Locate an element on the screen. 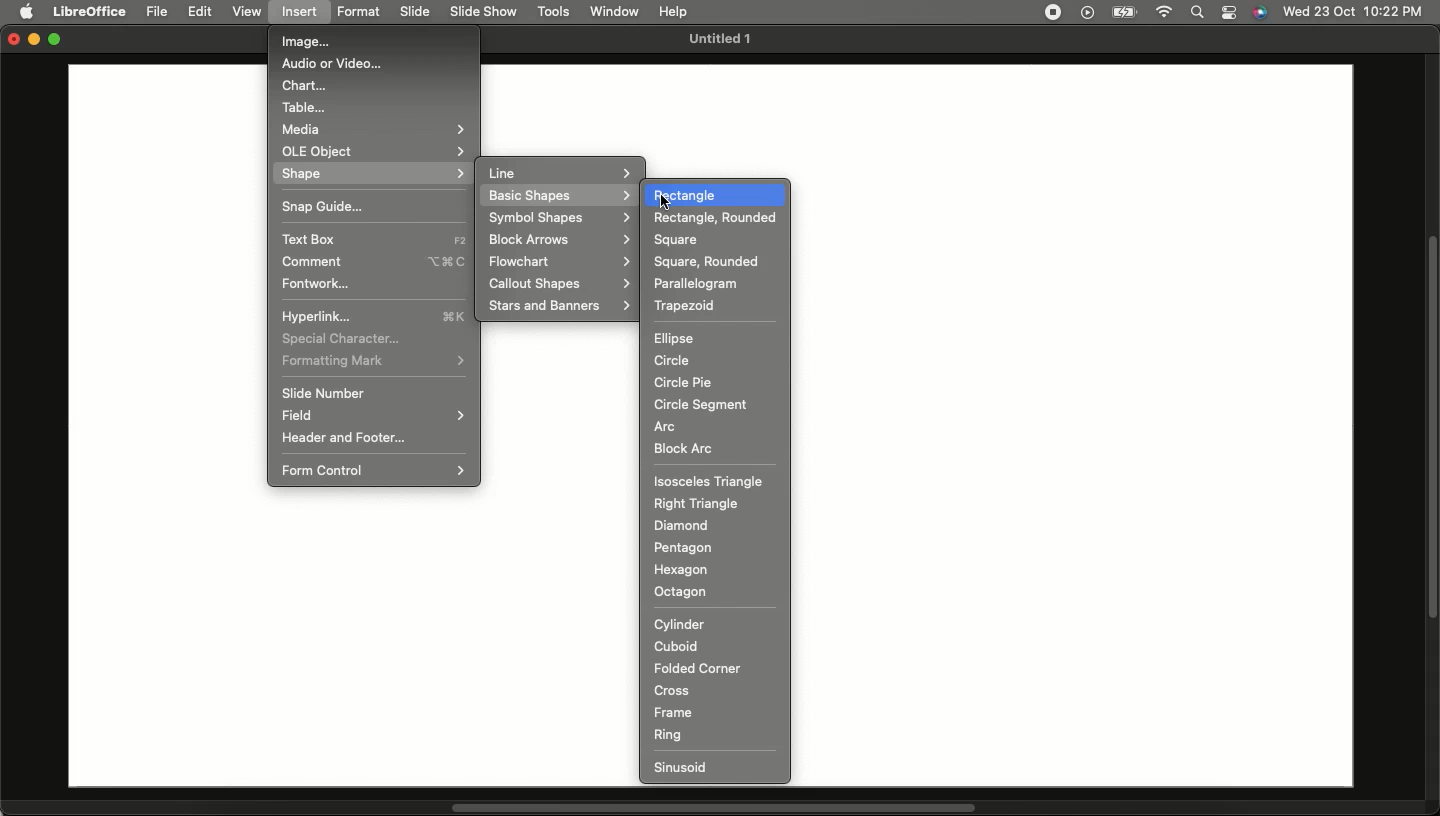 The width and height of the screenshot is (1440, 816). Internet is located at coordinates (1163, 13).